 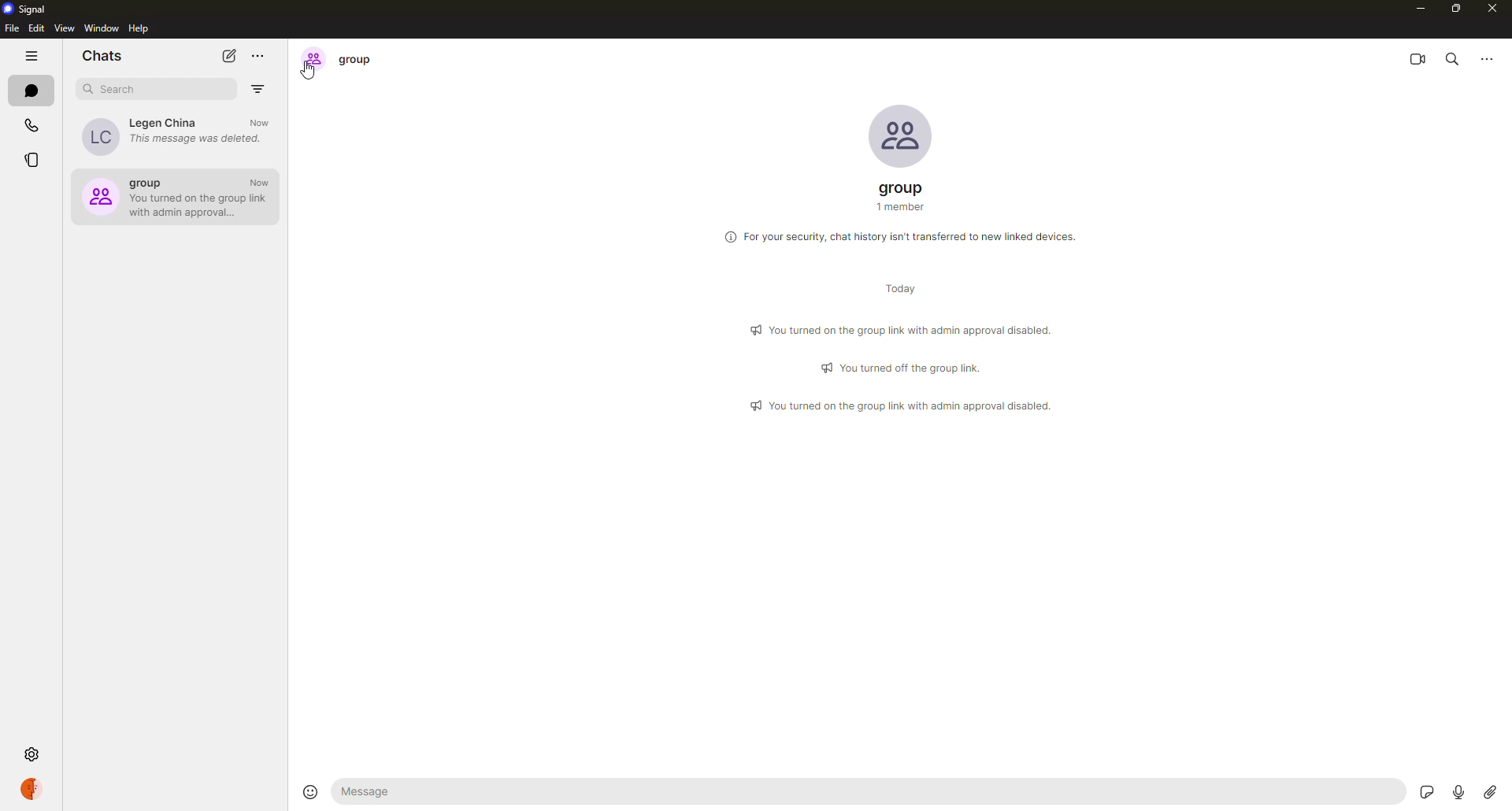 I want to click on more, so click(x=1488, y=61).